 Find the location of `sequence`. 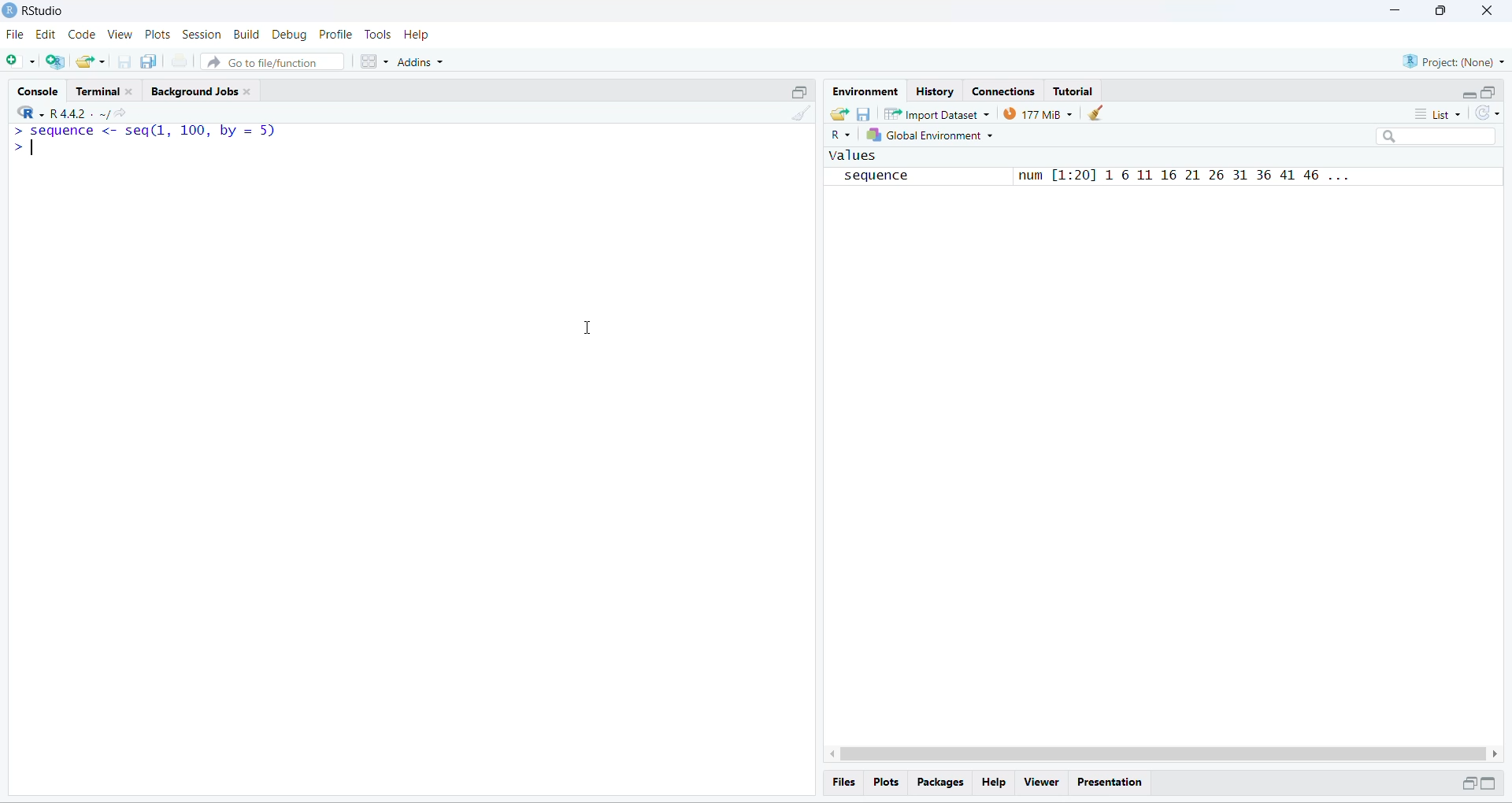

sequence is located at coordinates (883, 176).